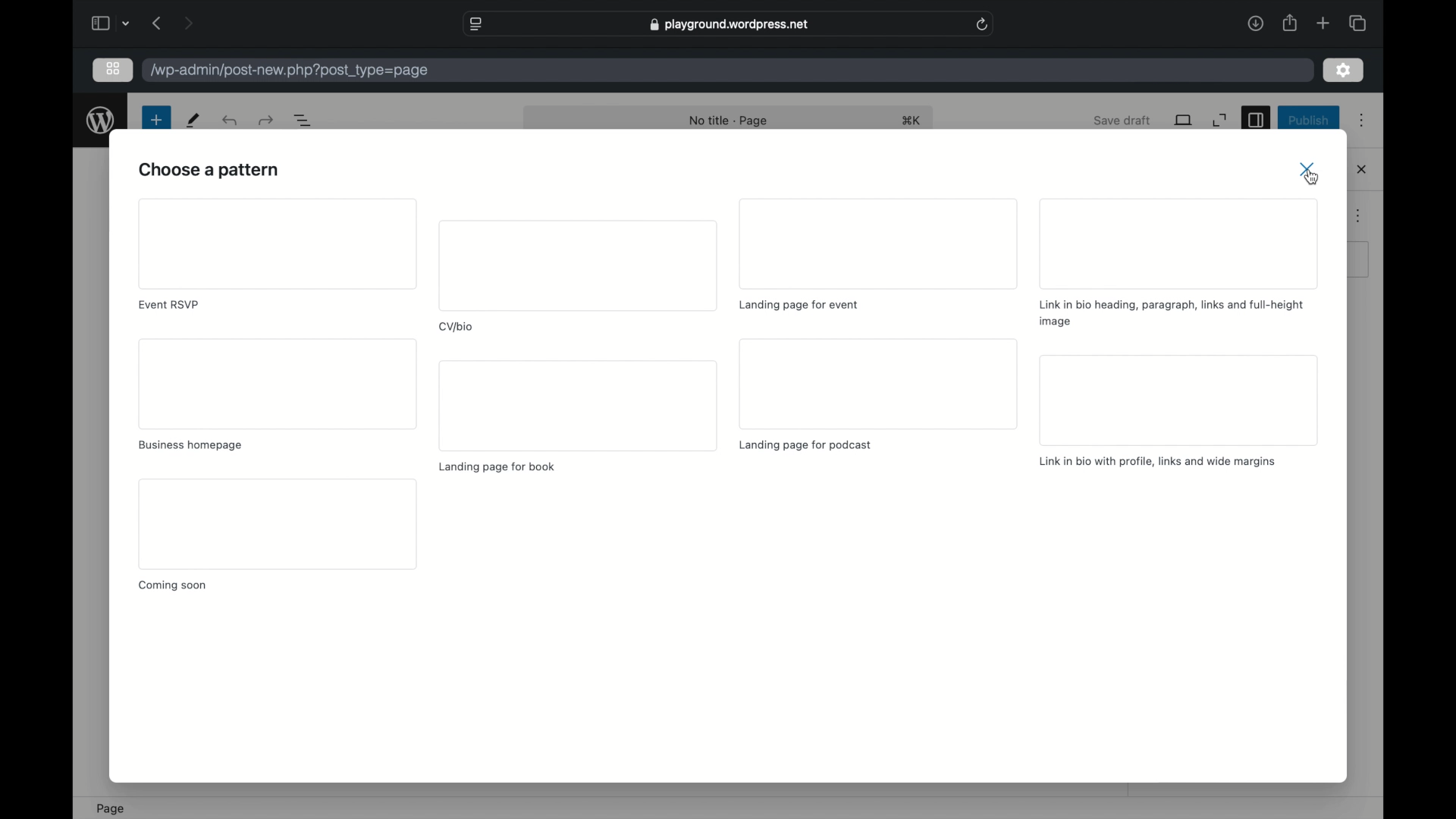 Image resolution: width=1456 pixels, height=819 pixels. Describe the element at coordinates (102, 121) in the screenshot. I see `wordpress` at that location.